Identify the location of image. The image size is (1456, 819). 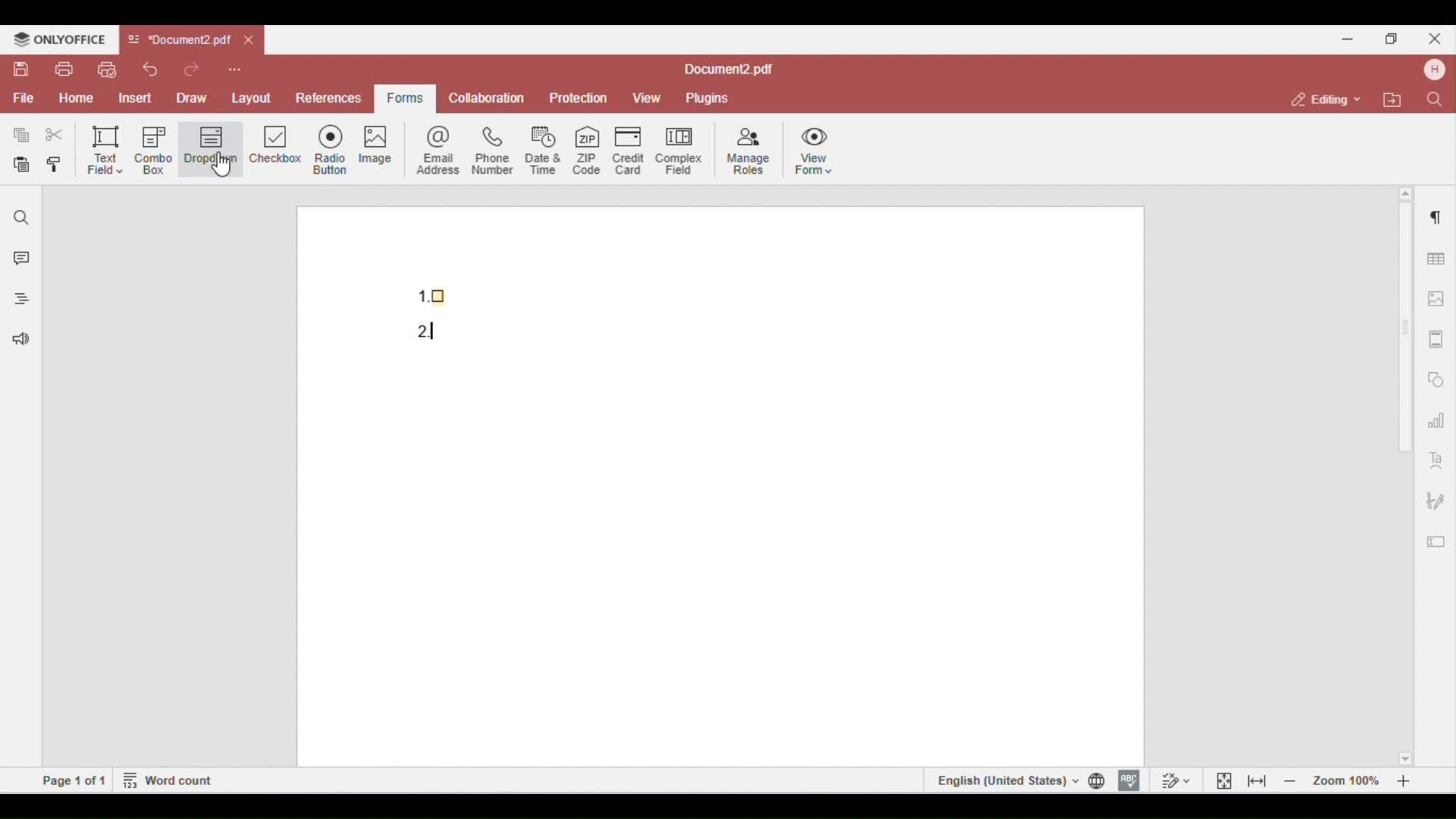
(384, 148).